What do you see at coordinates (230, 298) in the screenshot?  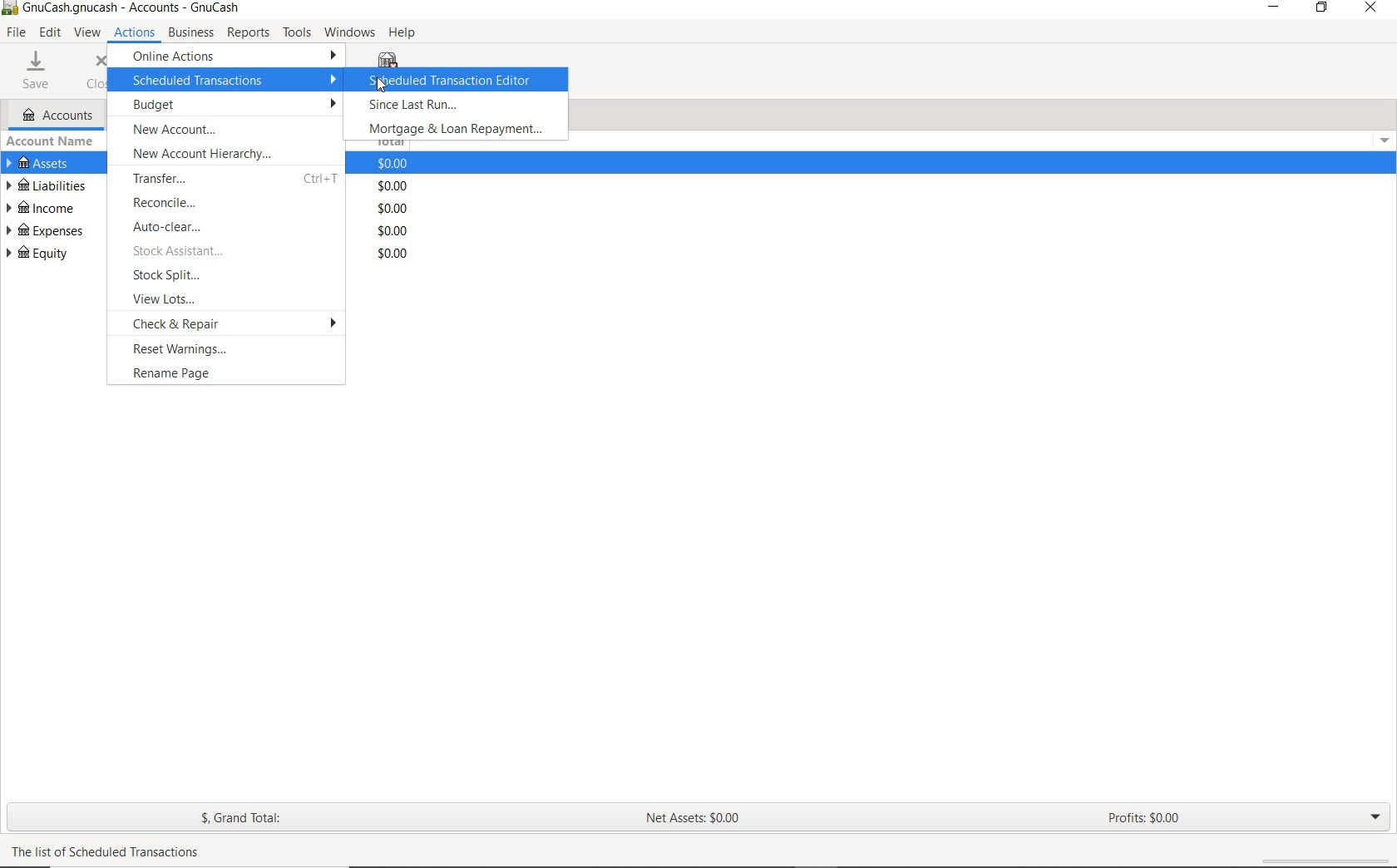 I see `VIEW LOTS` at bounding box center [230, 298].